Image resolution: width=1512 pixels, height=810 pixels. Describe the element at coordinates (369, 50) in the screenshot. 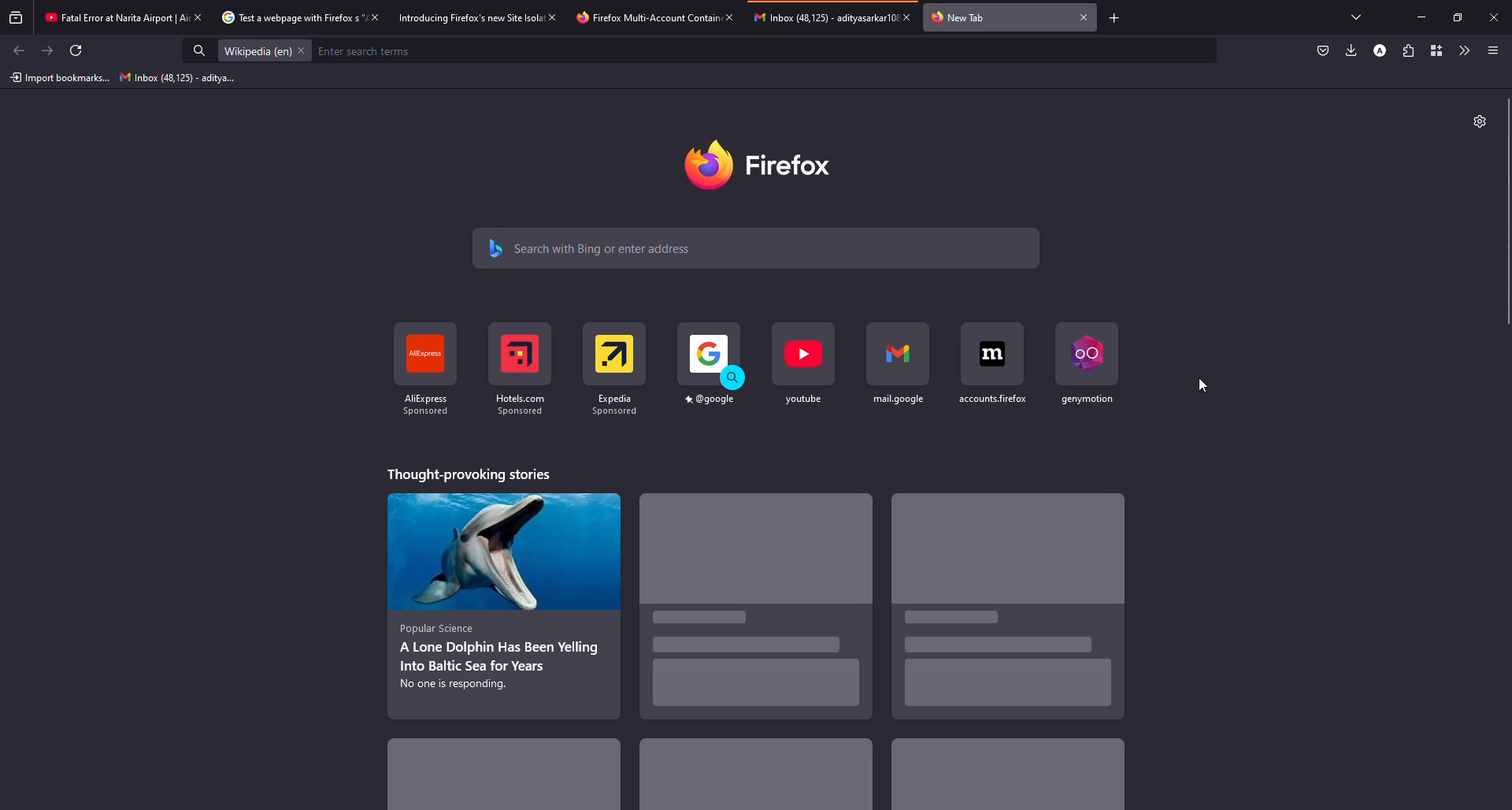

I see `enter search items` at that location.